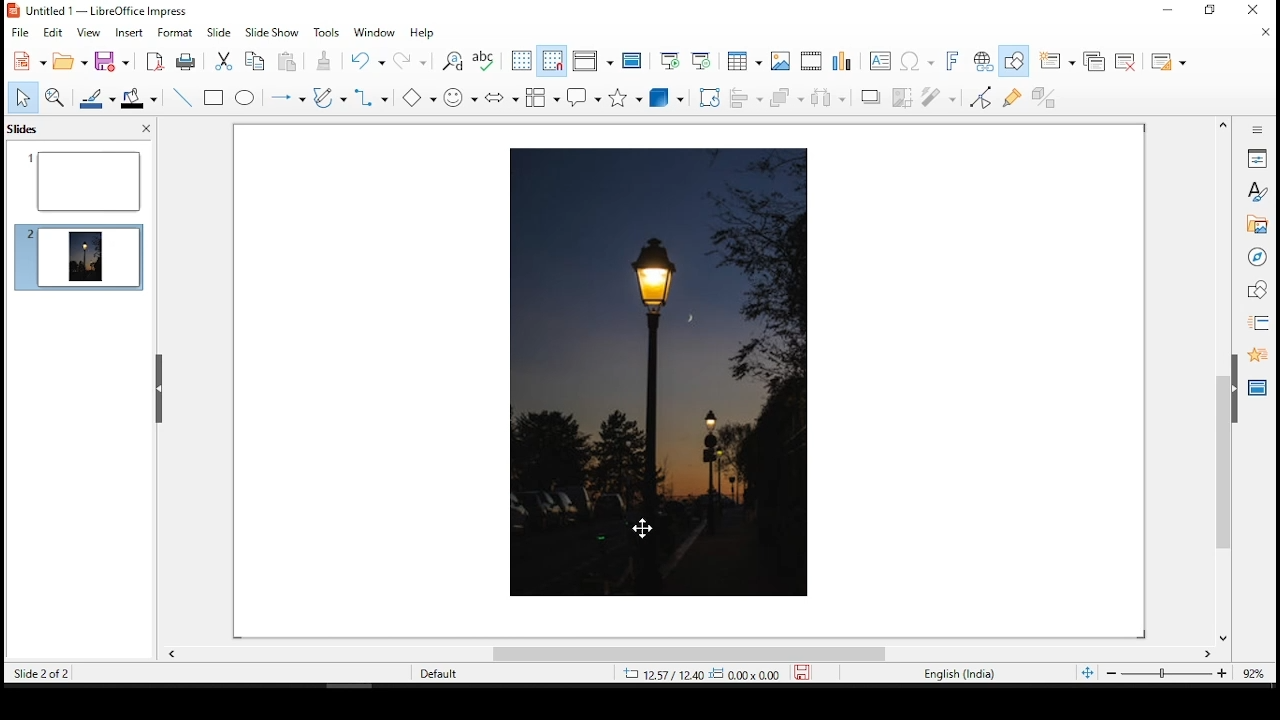  What do you see at coordinates (325, 63) in the screenshot?
I see `paste` at bounding box center [325, 63].